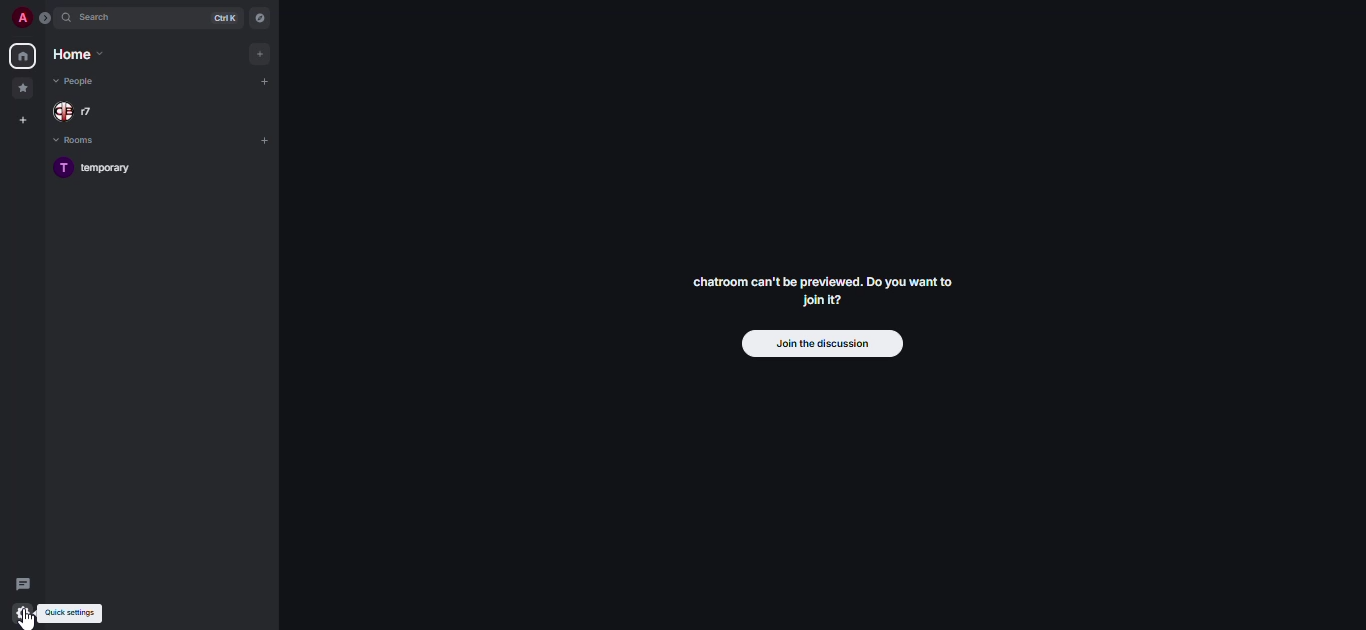 This screenshot has height=630, width=1366. I want to click on home, so click(22, 56).